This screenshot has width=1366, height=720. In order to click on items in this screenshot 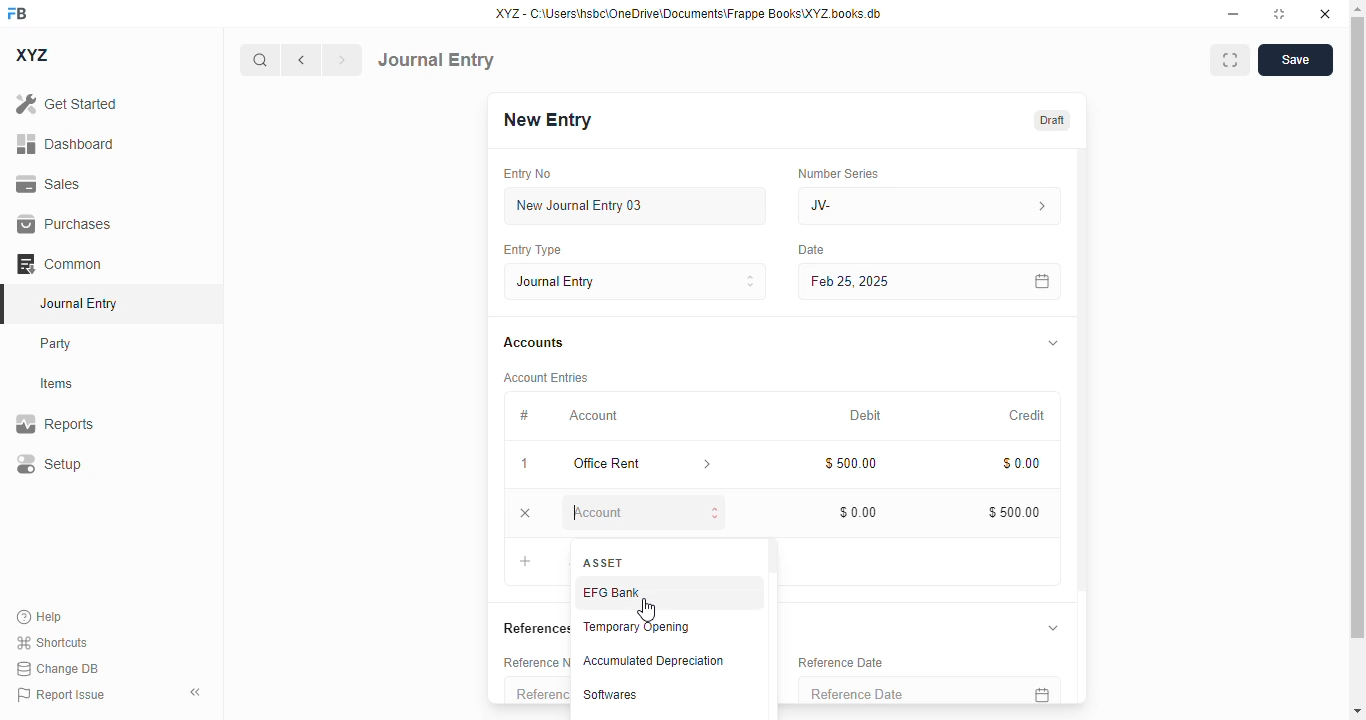, I will do `click(57, 384)`.